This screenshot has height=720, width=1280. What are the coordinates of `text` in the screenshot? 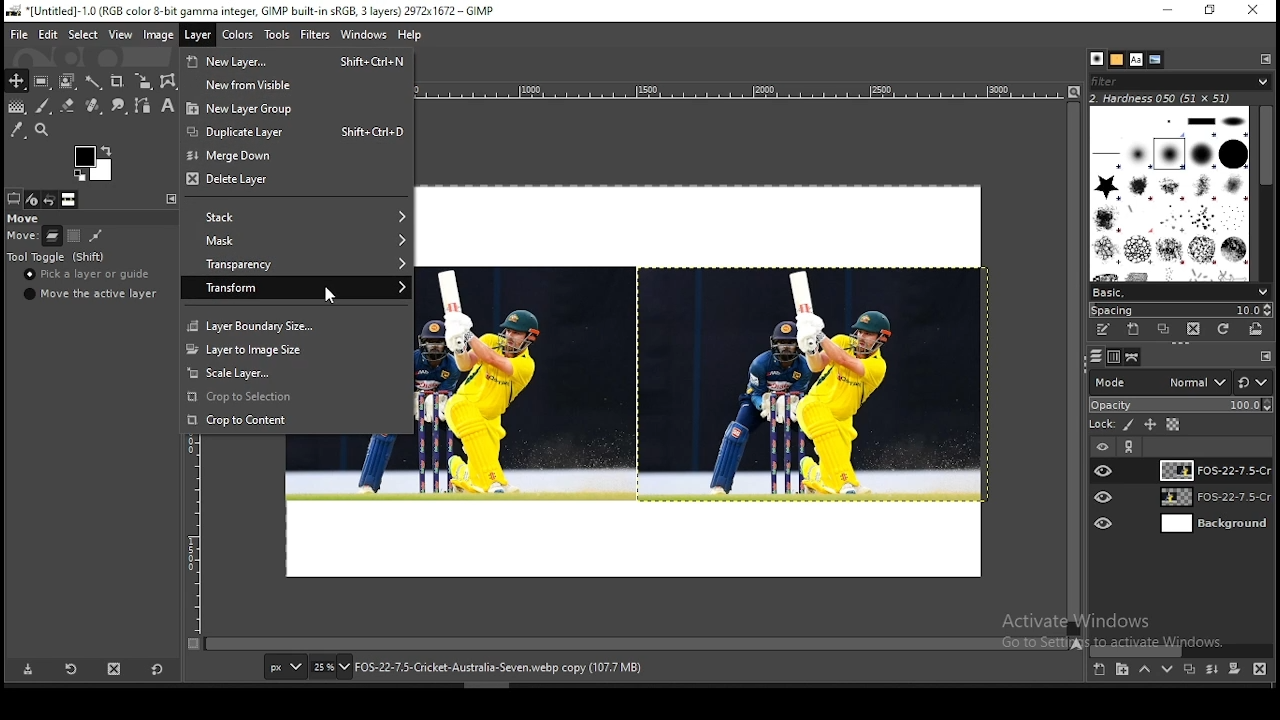 It's located at (1119, 631).